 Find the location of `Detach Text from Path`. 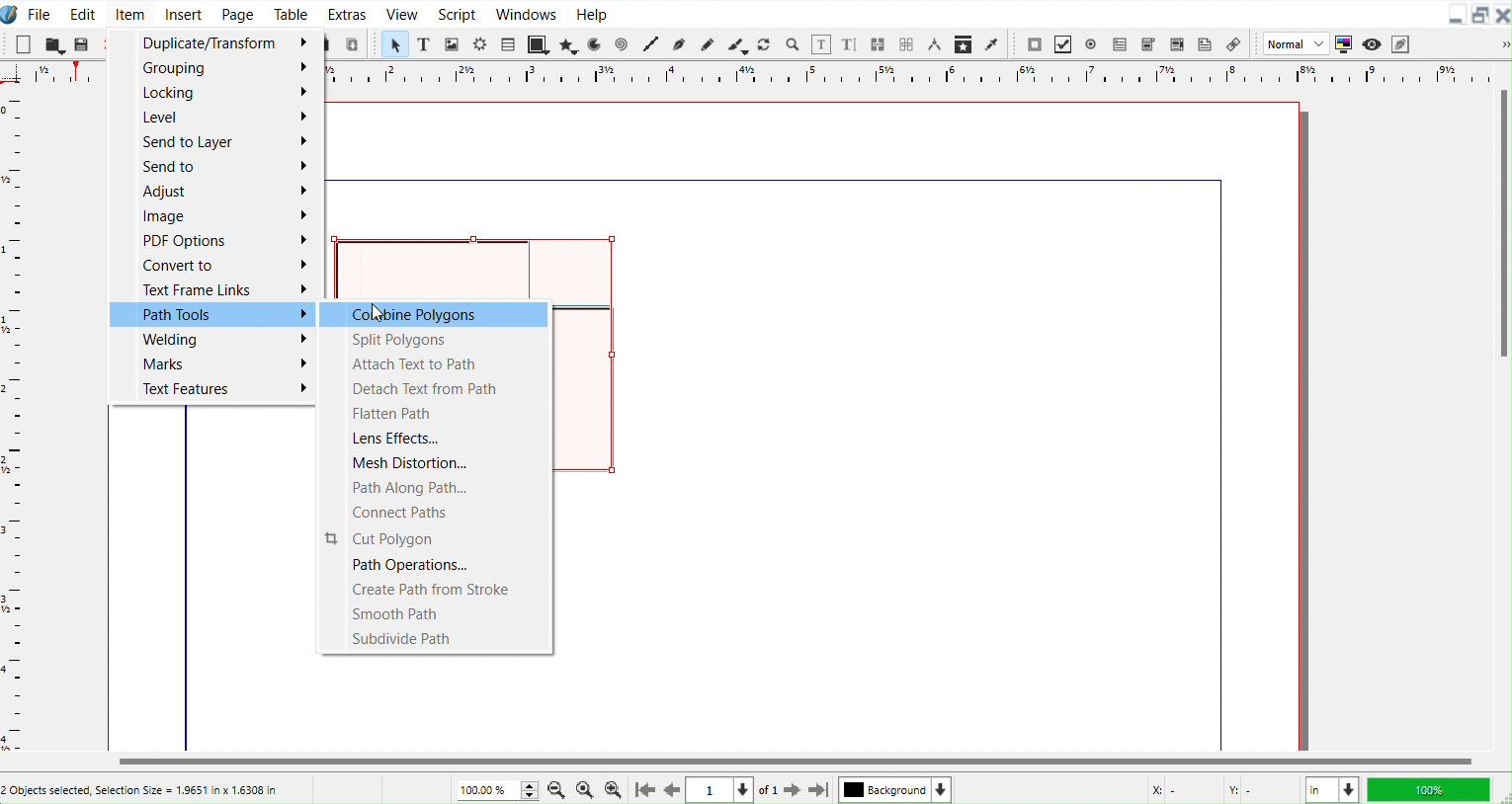

Detach Text from Path is located at coordinates (433, 386).